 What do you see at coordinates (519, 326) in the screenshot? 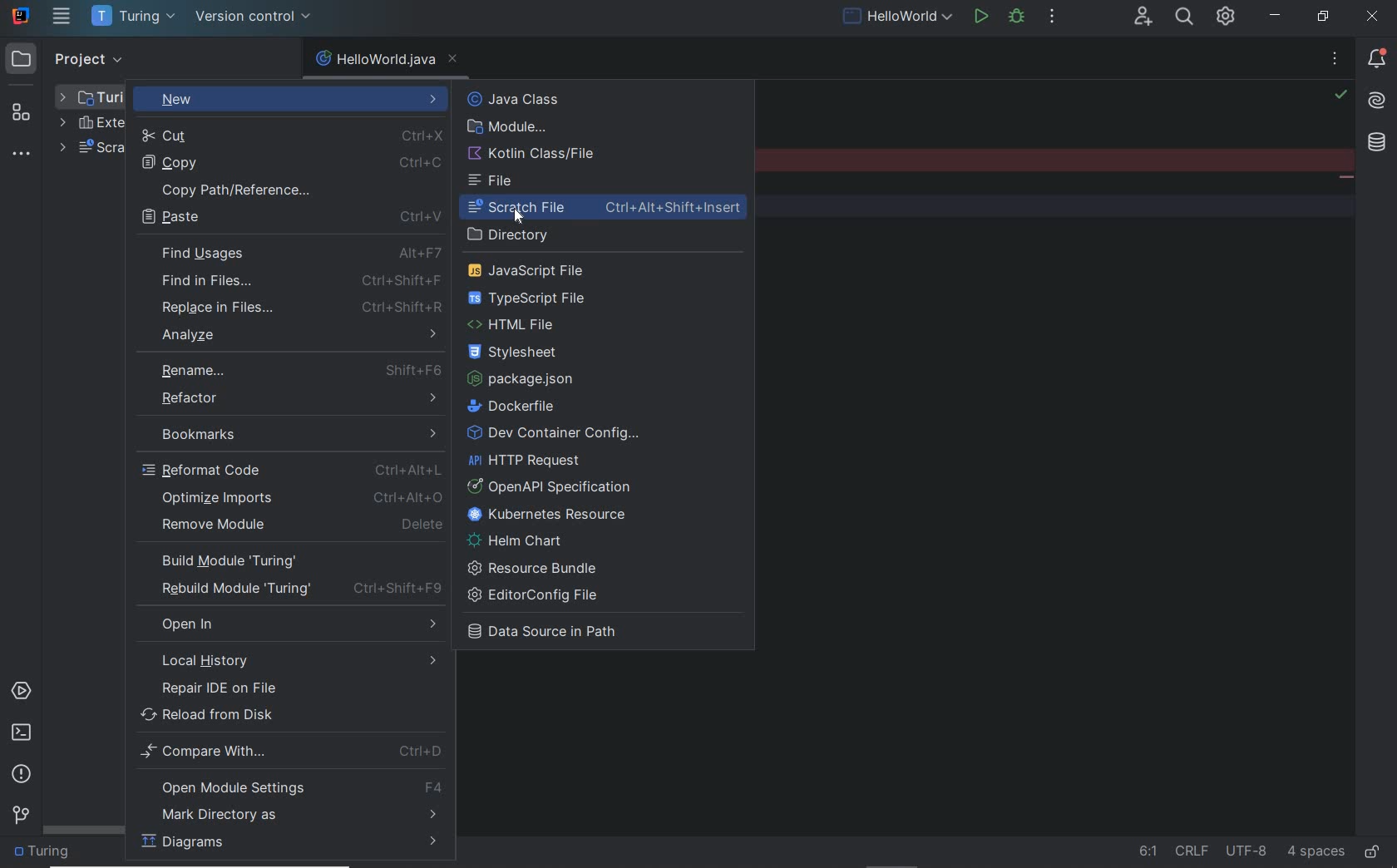
I see `HTML File` at bounding box center [519, 326].